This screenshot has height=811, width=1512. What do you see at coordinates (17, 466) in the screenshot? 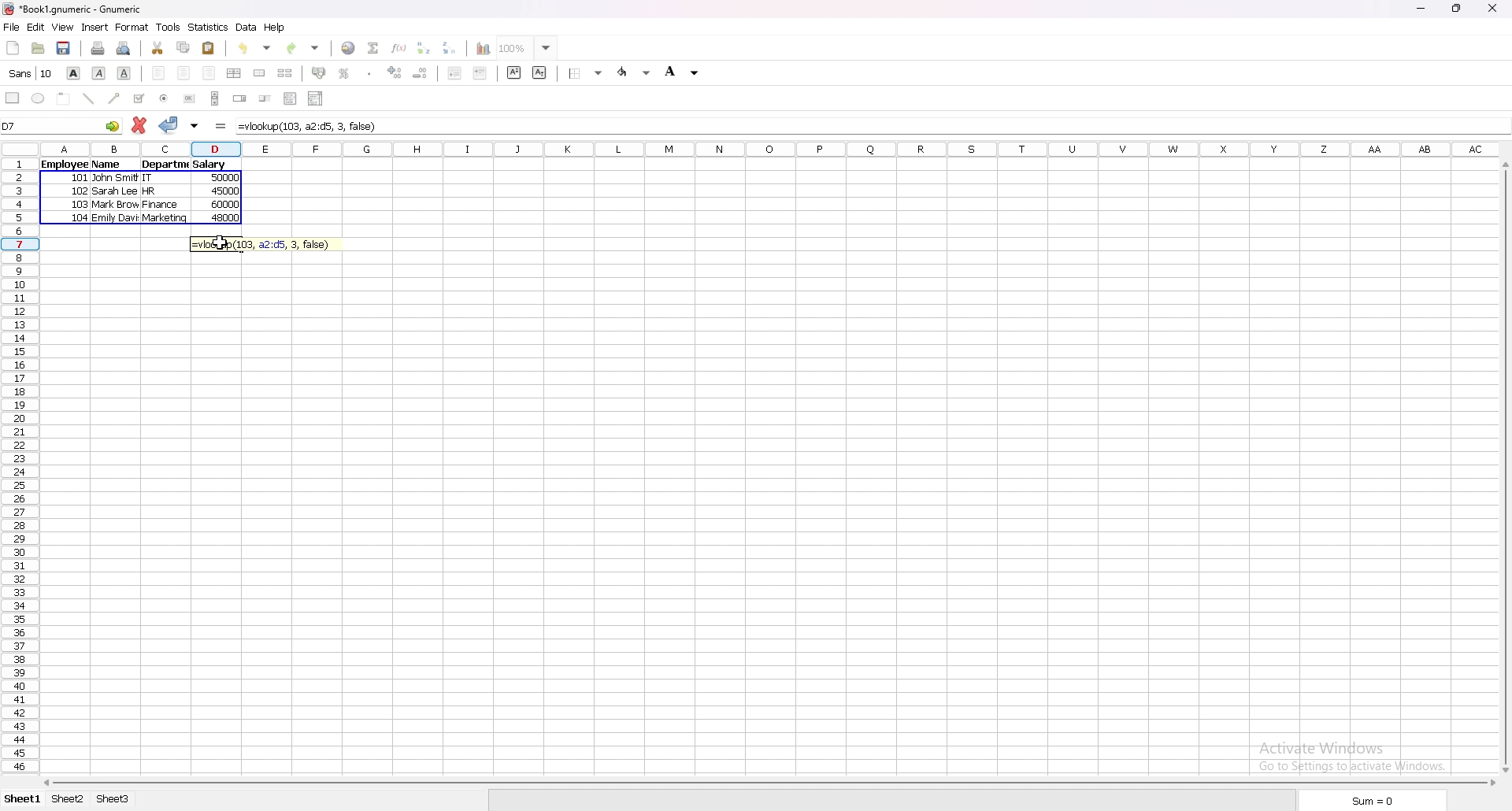
I see `row` at bounding box center [17, 466].